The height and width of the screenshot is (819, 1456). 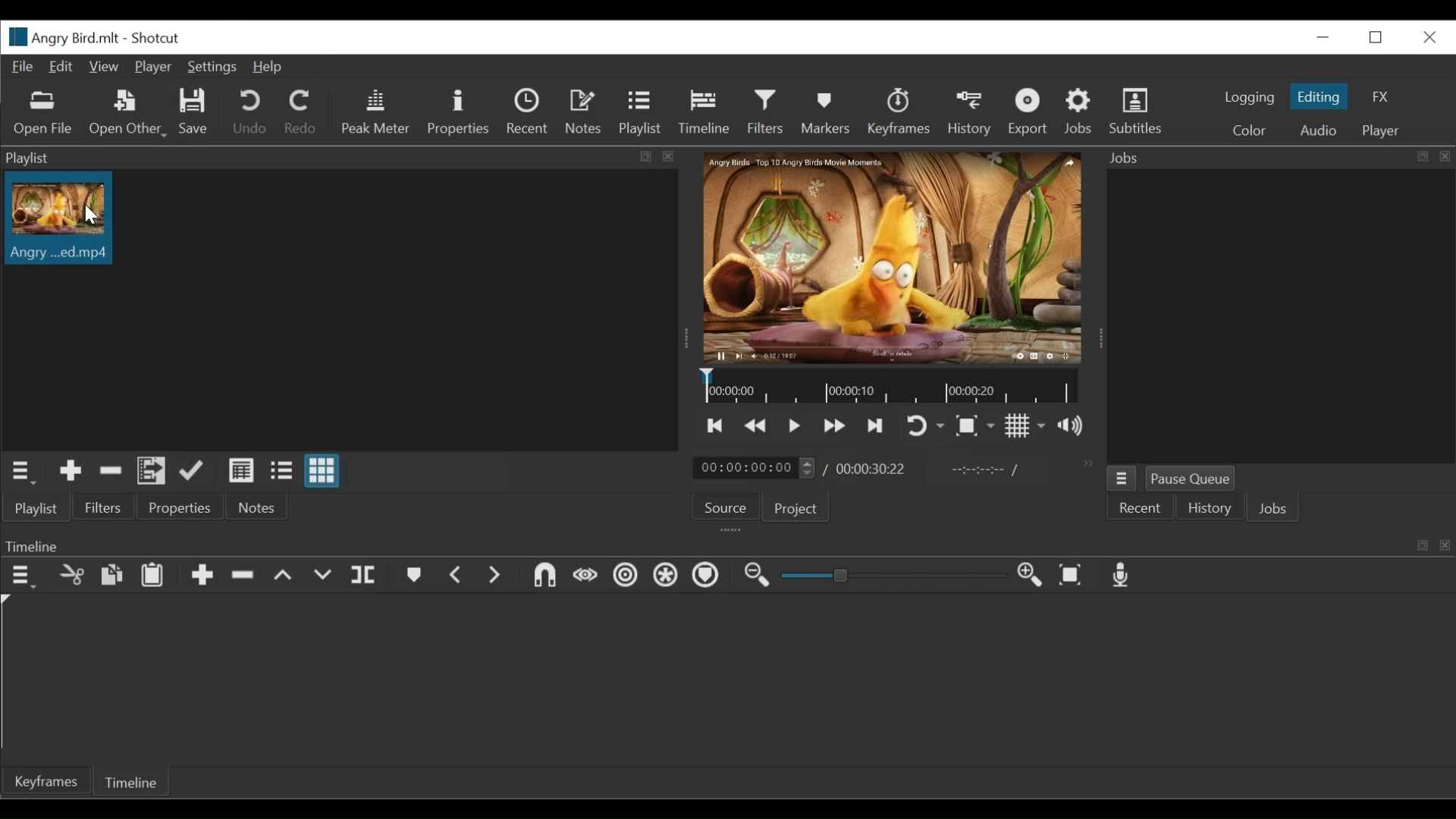 What do you see at coordinates (754, 425) in the screenshot?
I see `Play backward quickly` at bounding box center [754, 425].